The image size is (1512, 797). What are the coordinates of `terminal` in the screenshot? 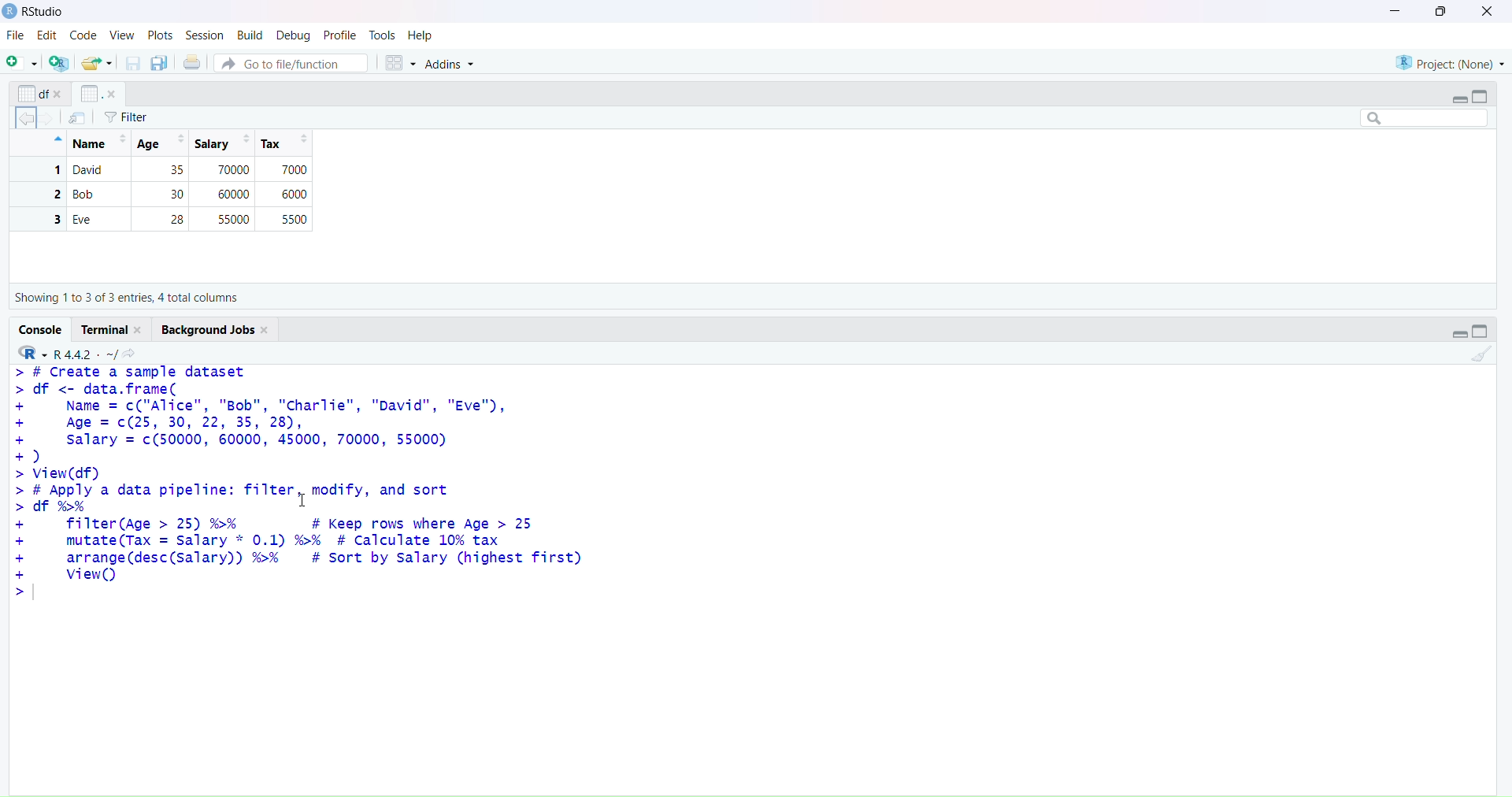 It's located at (113, 328).